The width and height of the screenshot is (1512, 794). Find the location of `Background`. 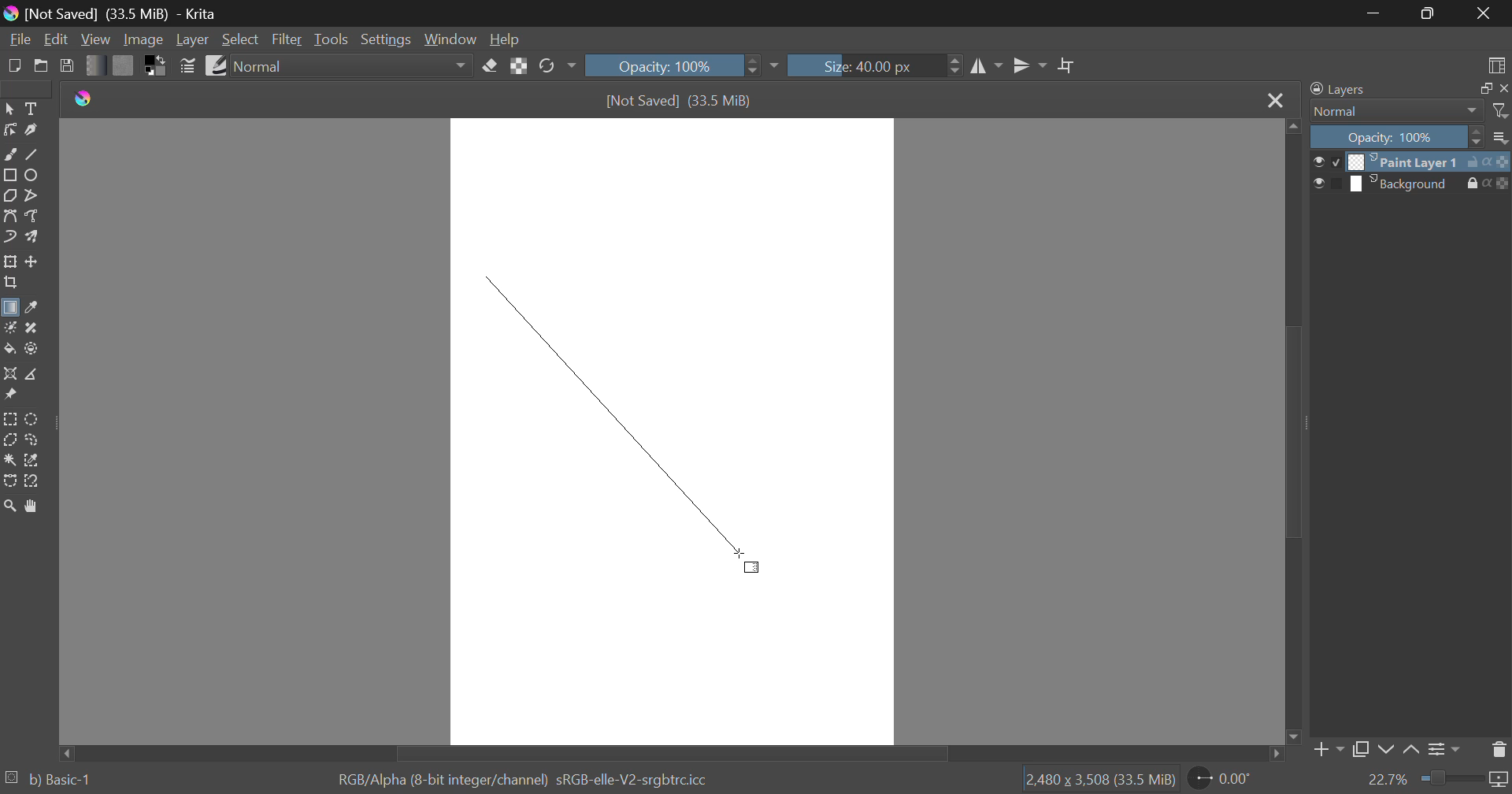

Background is located at coordinates (1404, 184).